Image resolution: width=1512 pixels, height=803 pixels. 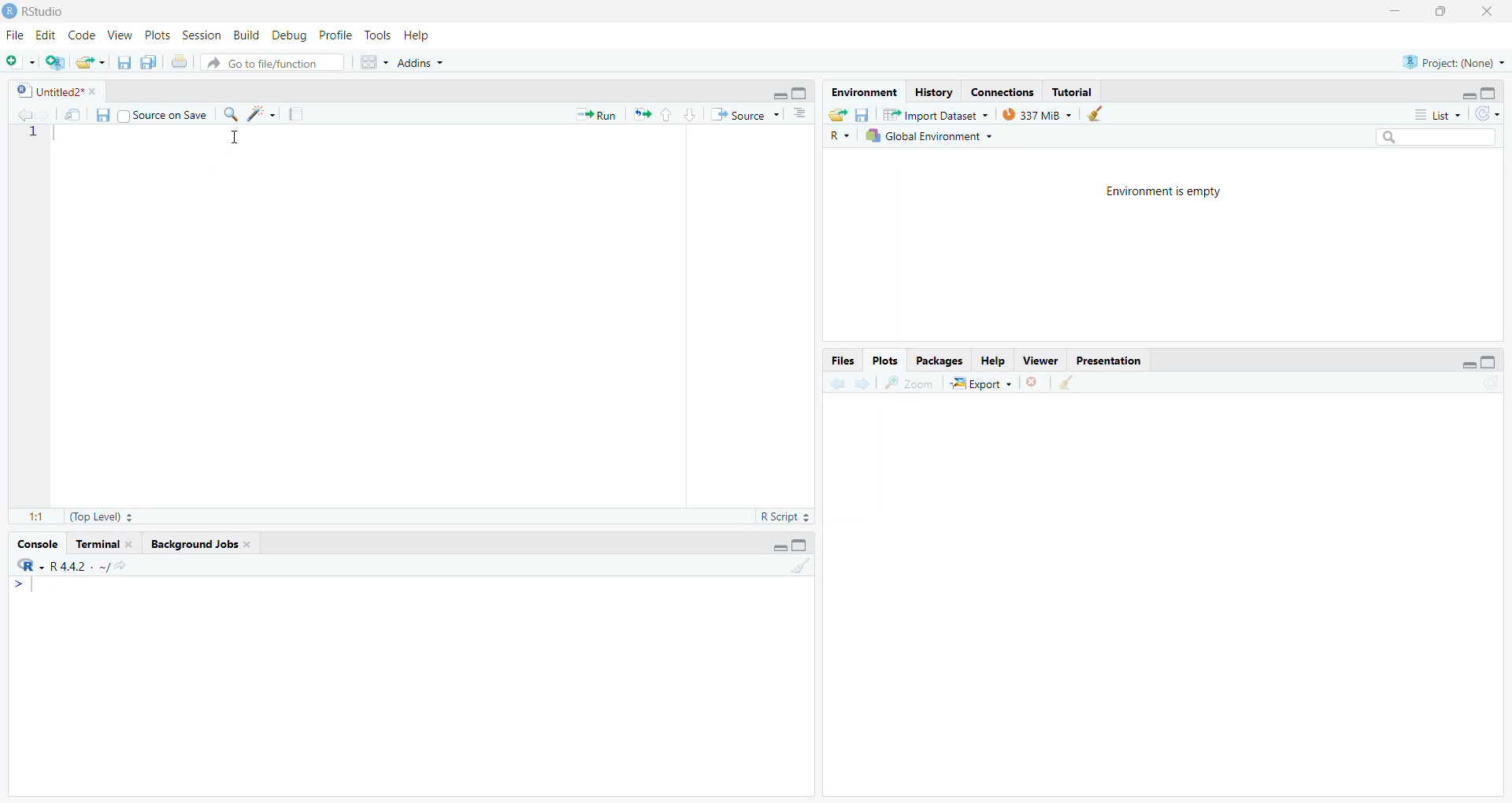 What do you see at coordinates (34, 132) in the screenshot?
I see `1` at bounding box center [34, 132].